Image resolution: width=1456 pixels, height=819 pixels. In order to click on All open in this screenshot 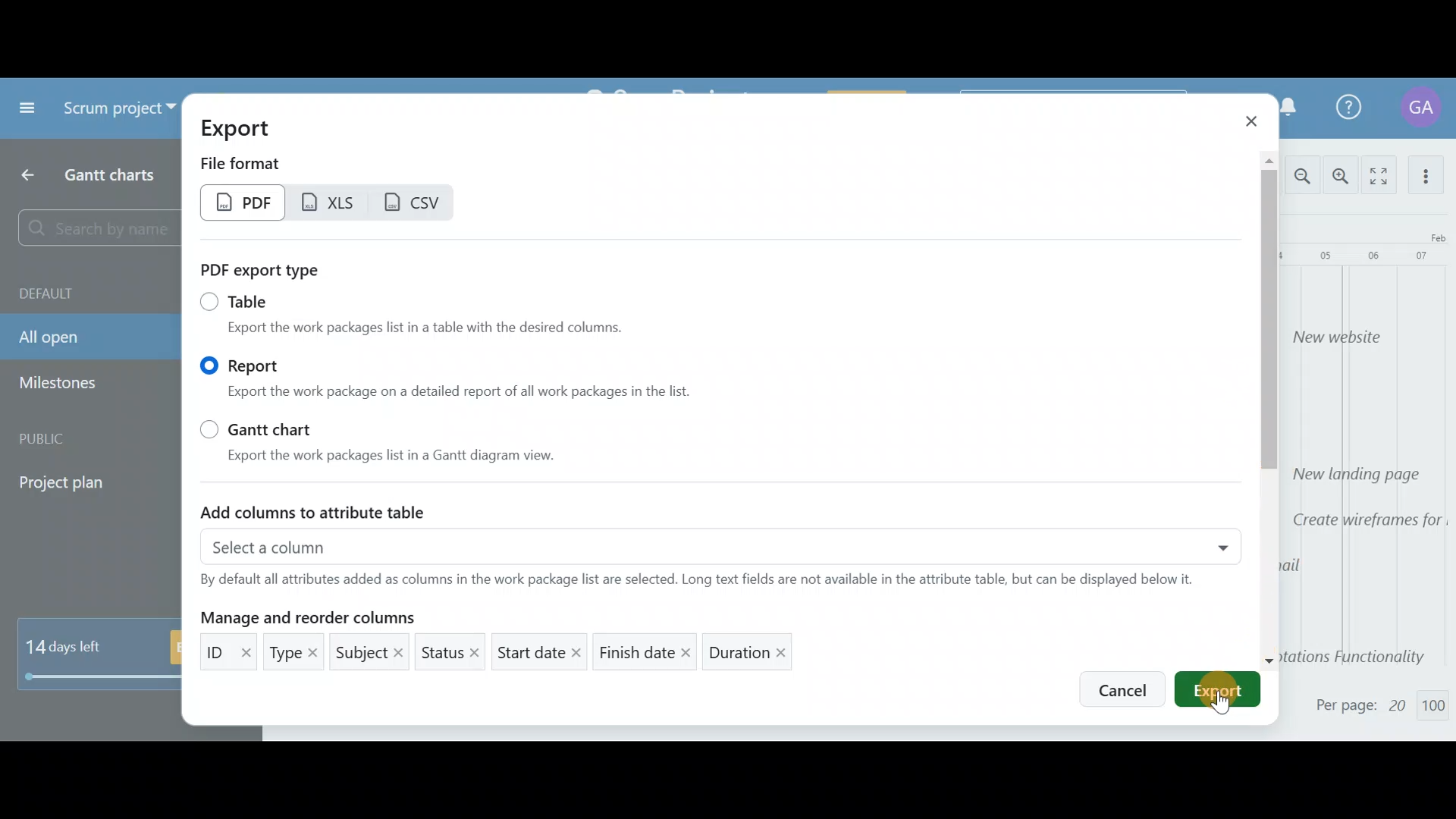, I will do `click(83, 341)`.